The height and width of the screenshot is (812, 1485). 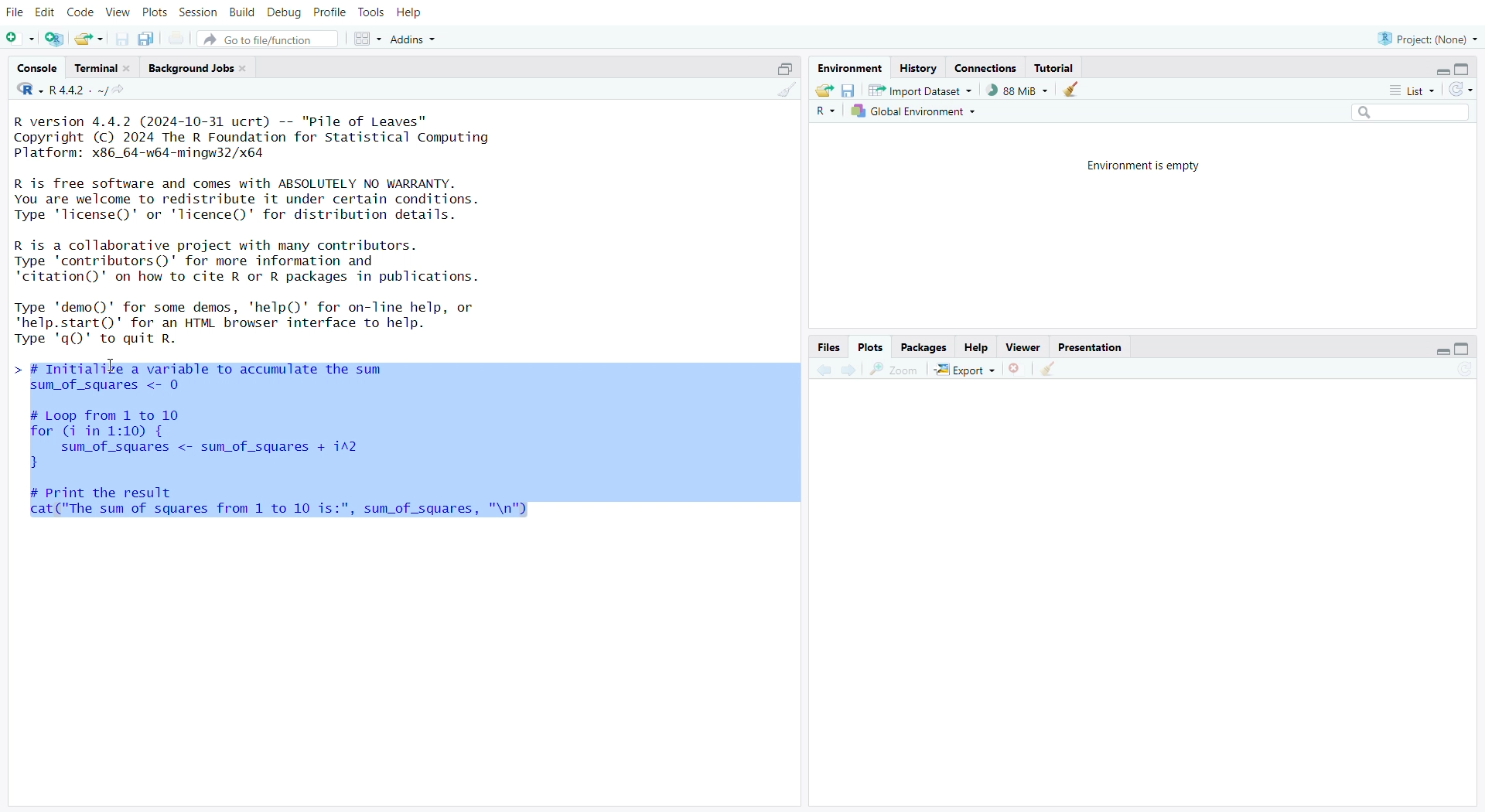 What do you see at coordinates (54, 39) in the screenshot?
I see `create a project` at bounding box center [54, 39].